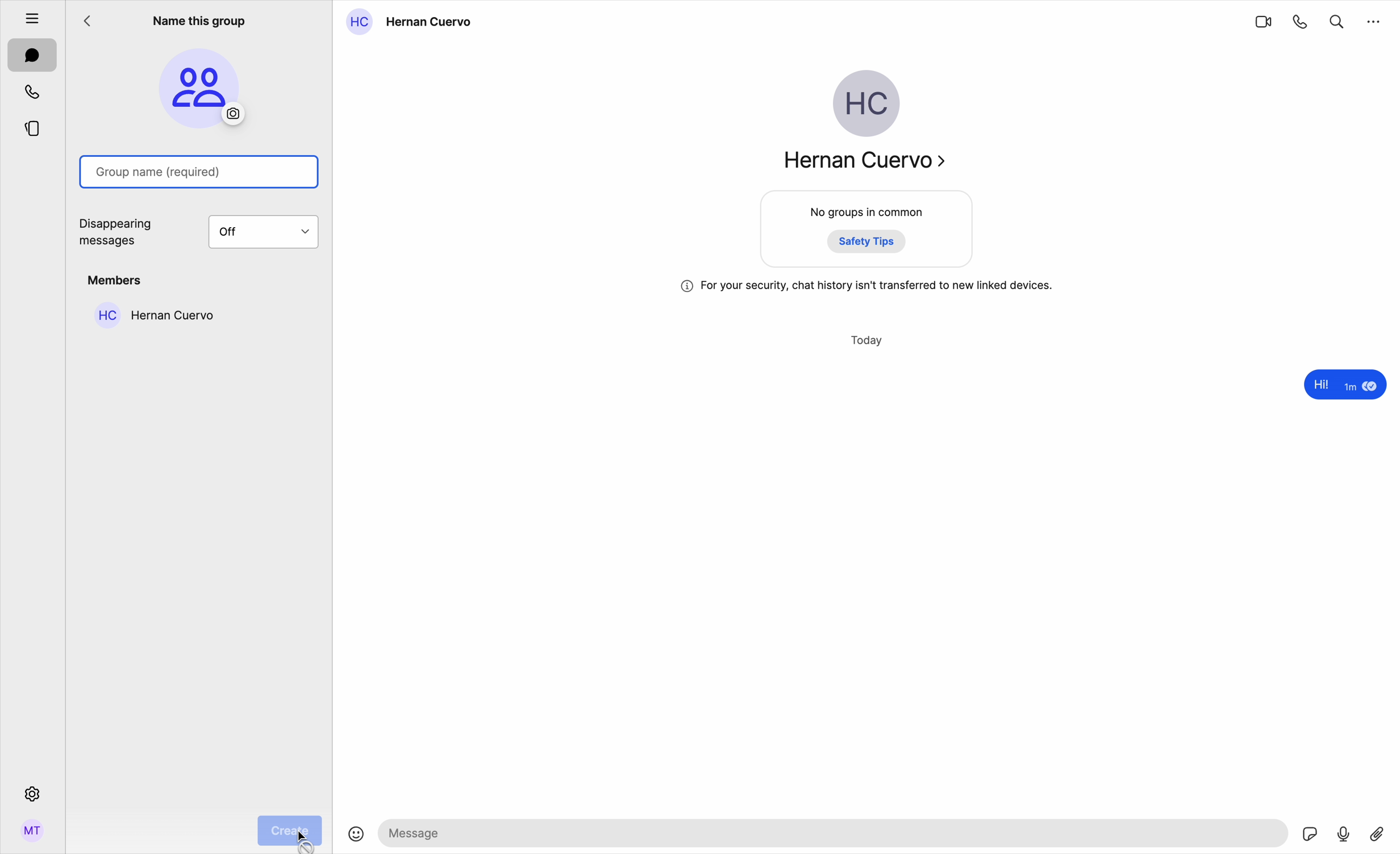  I want to click on today, so click(868, 341).